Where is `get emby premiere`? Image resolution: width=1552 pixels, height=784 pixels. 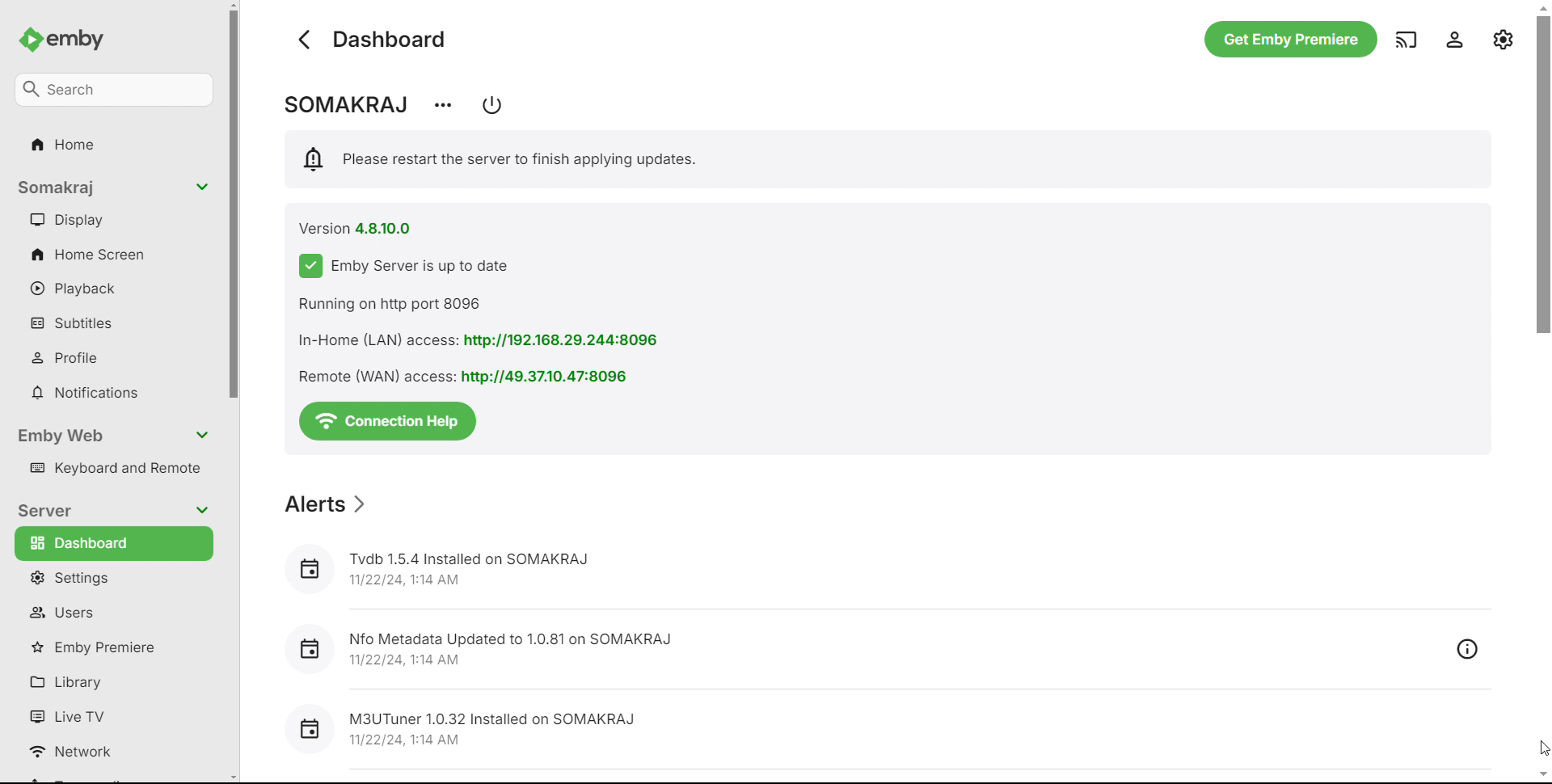
get emby premiere is located at coordinates (1287, 39).